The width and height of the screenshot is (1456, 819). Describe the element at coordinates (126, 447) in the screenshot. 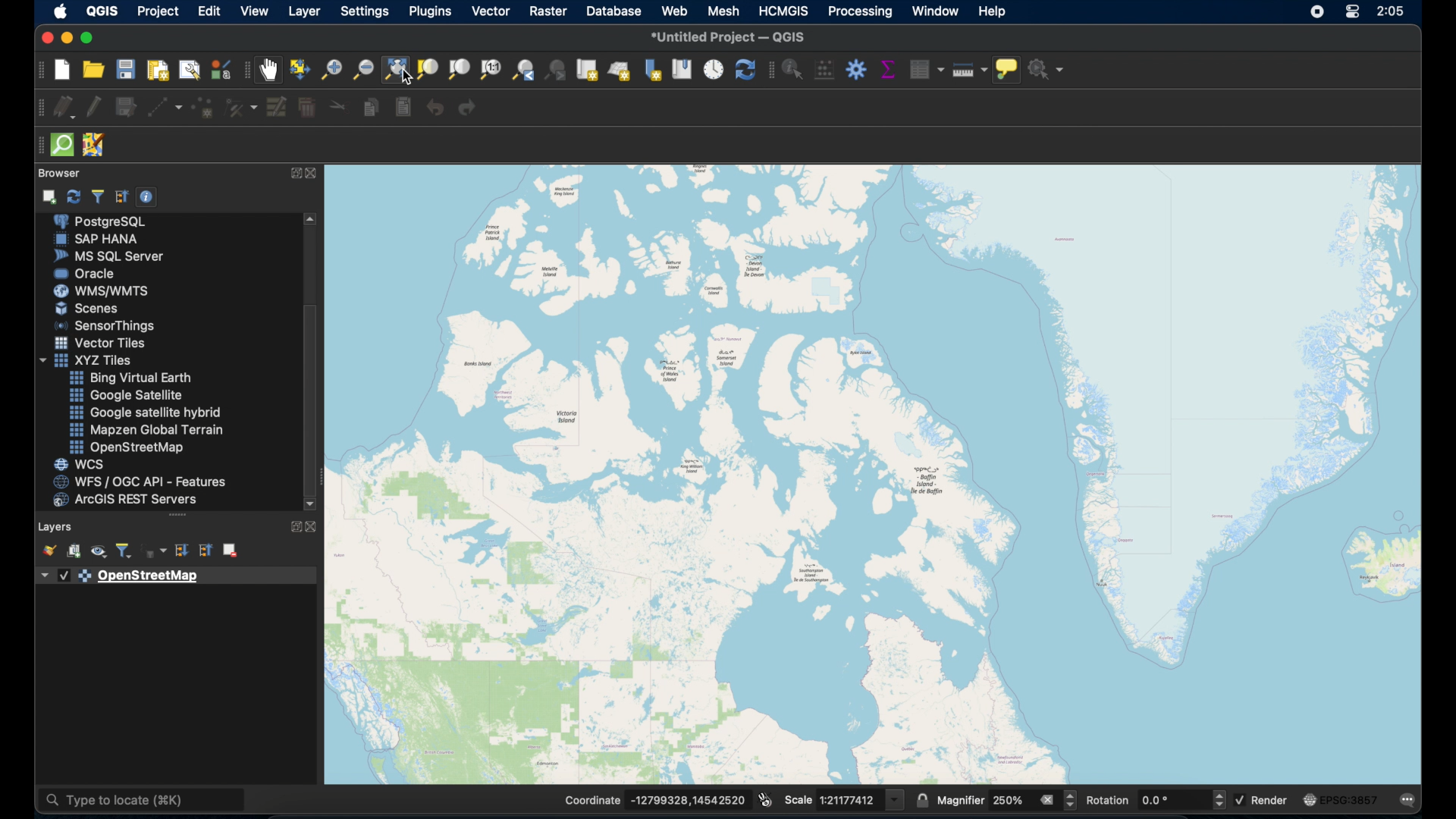

I see `openstreet map` at that location.